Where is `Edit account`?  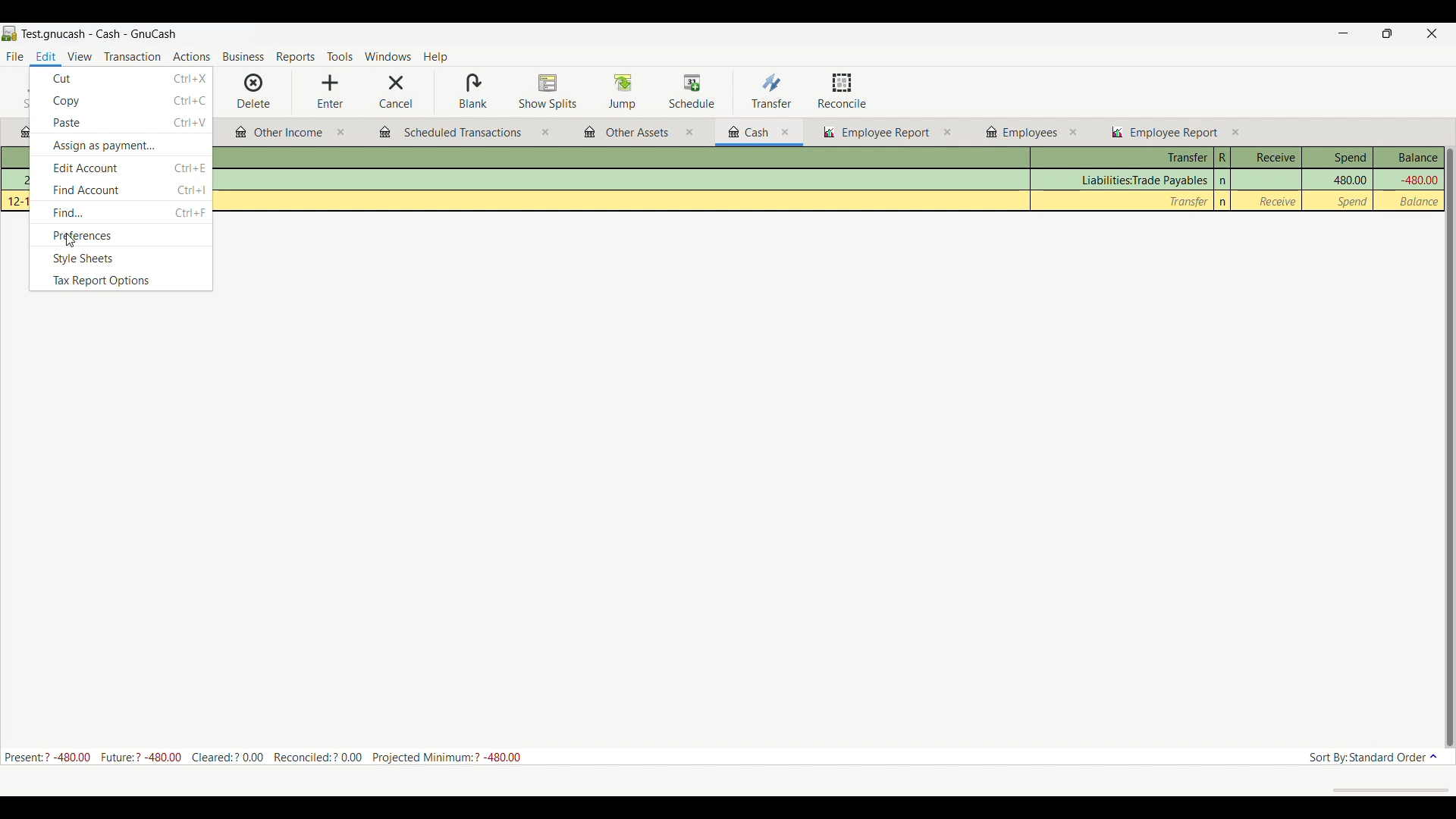 Edit account is located at coordinates (121, 168).